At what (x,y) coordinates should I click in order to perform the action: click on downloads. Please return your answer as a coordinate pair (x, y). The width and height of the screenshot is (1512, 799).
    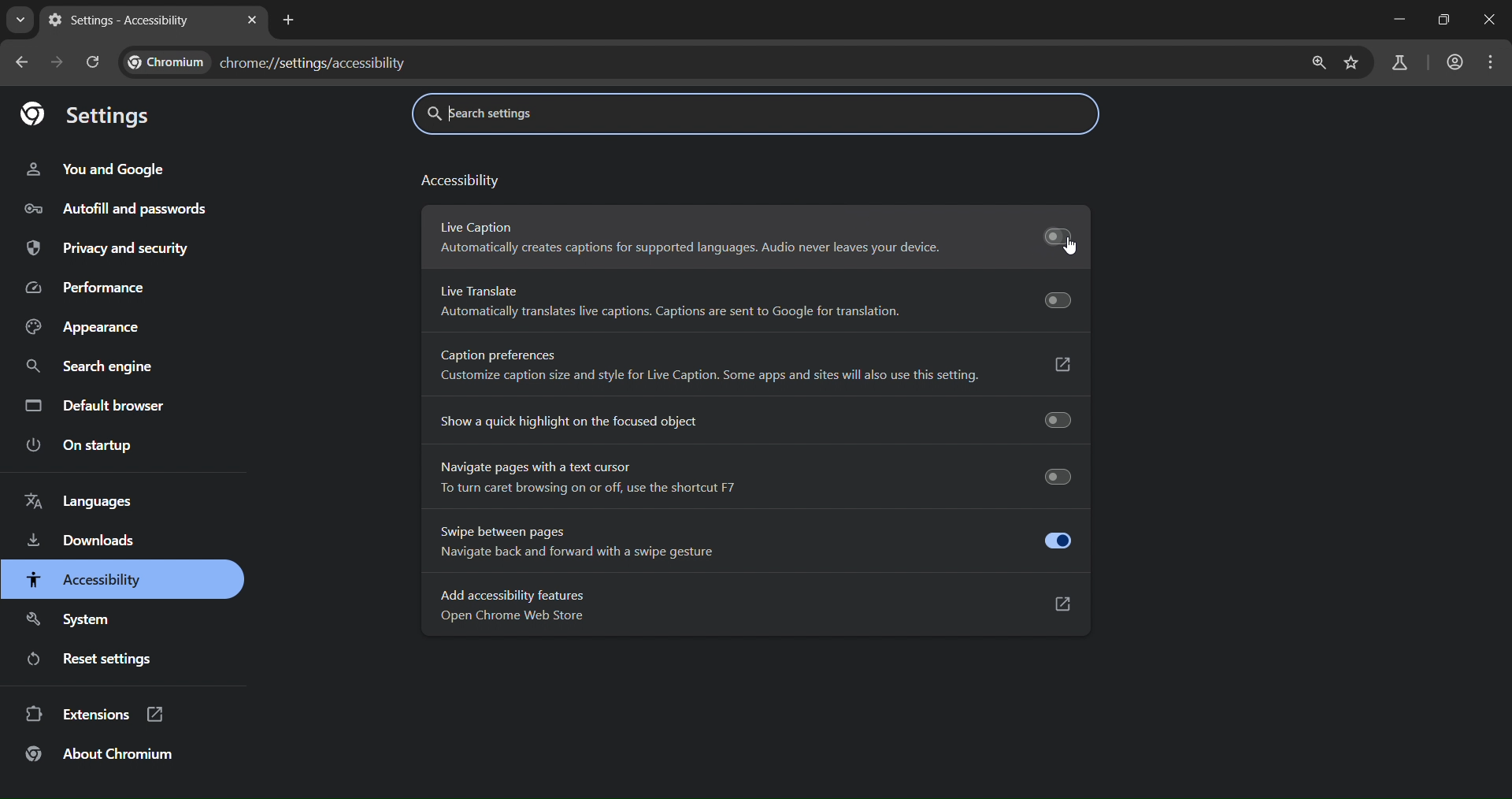
    Looking at the image, I should click on (89, 541).